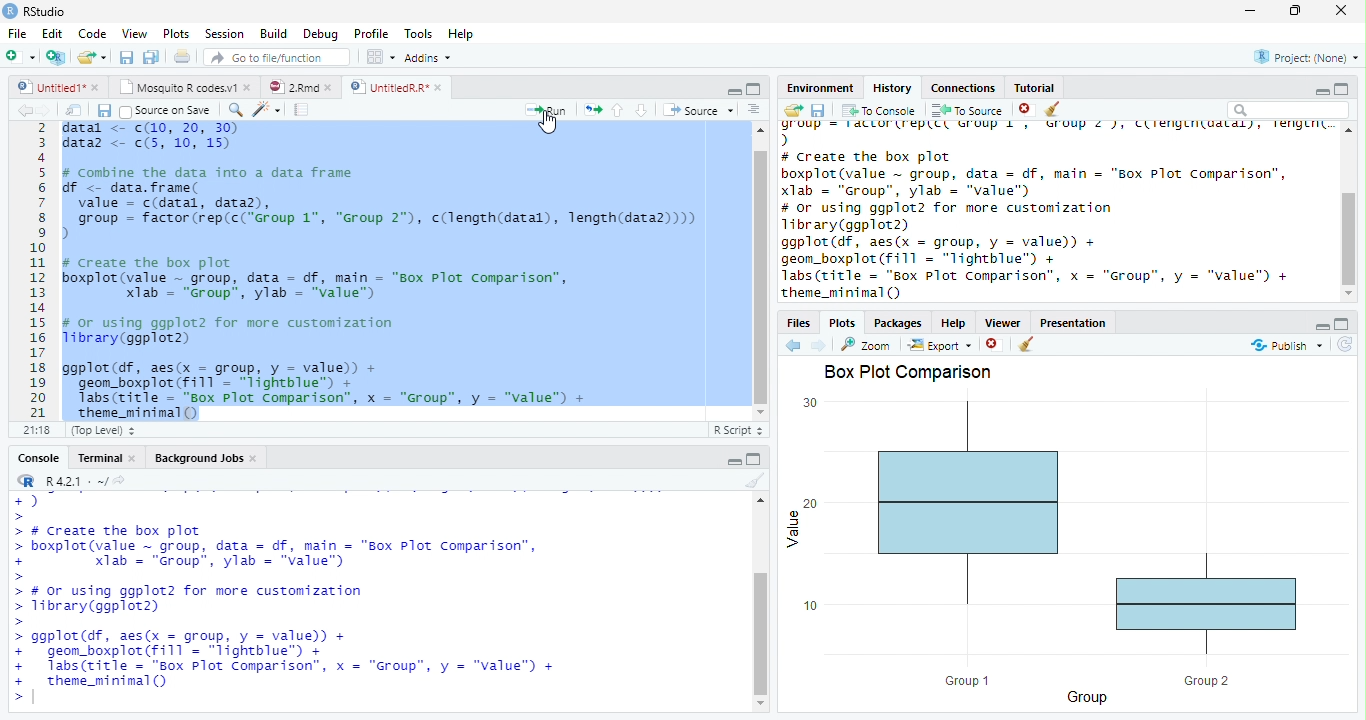 Image resolution: width=1366 pixels, height=720 pixels. Describe the element at coordinates (963, 88) in the screenshot. I see `Connections` at that location.